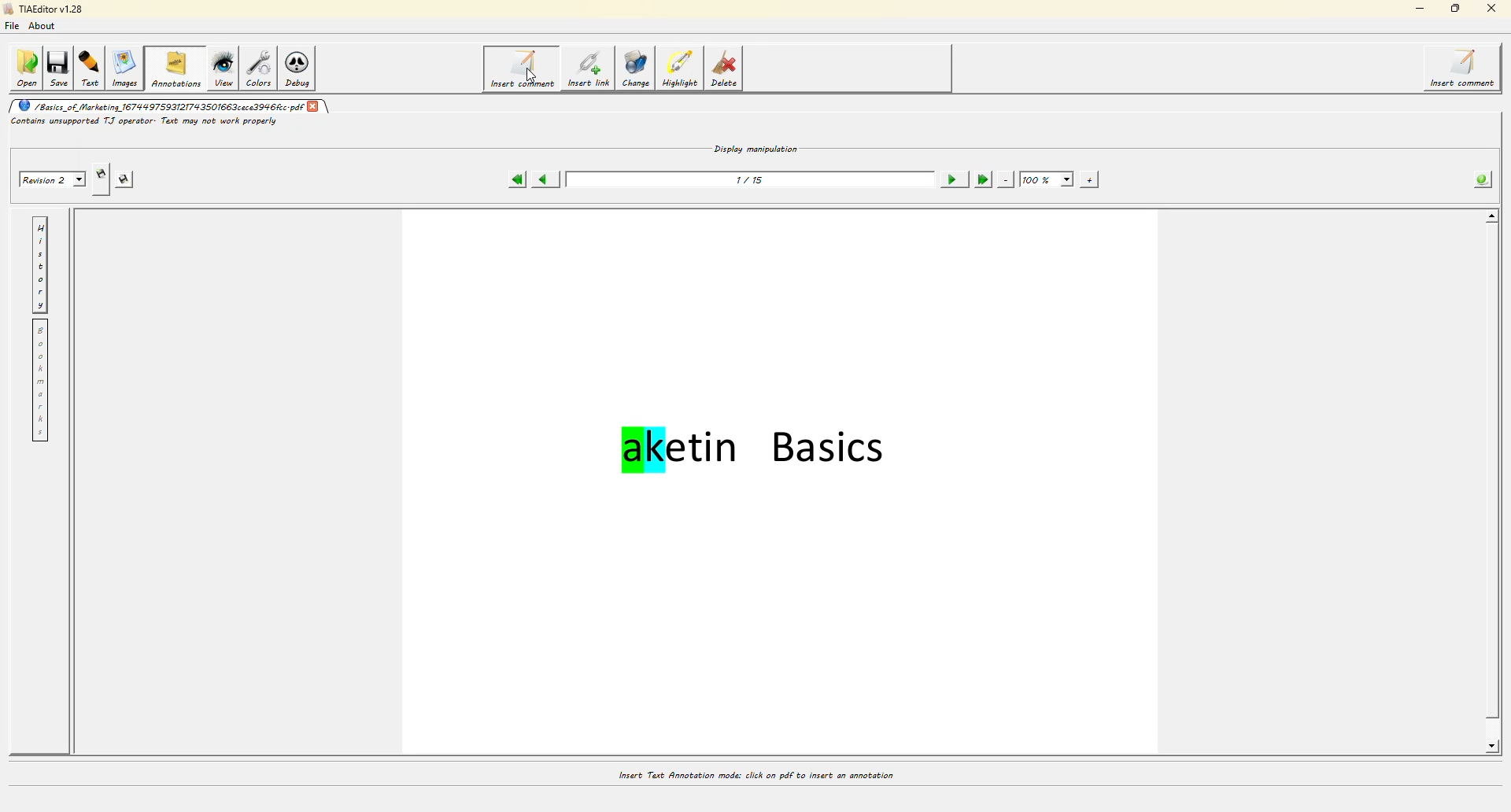  I want to click on zoom out, so click(1006, 179).